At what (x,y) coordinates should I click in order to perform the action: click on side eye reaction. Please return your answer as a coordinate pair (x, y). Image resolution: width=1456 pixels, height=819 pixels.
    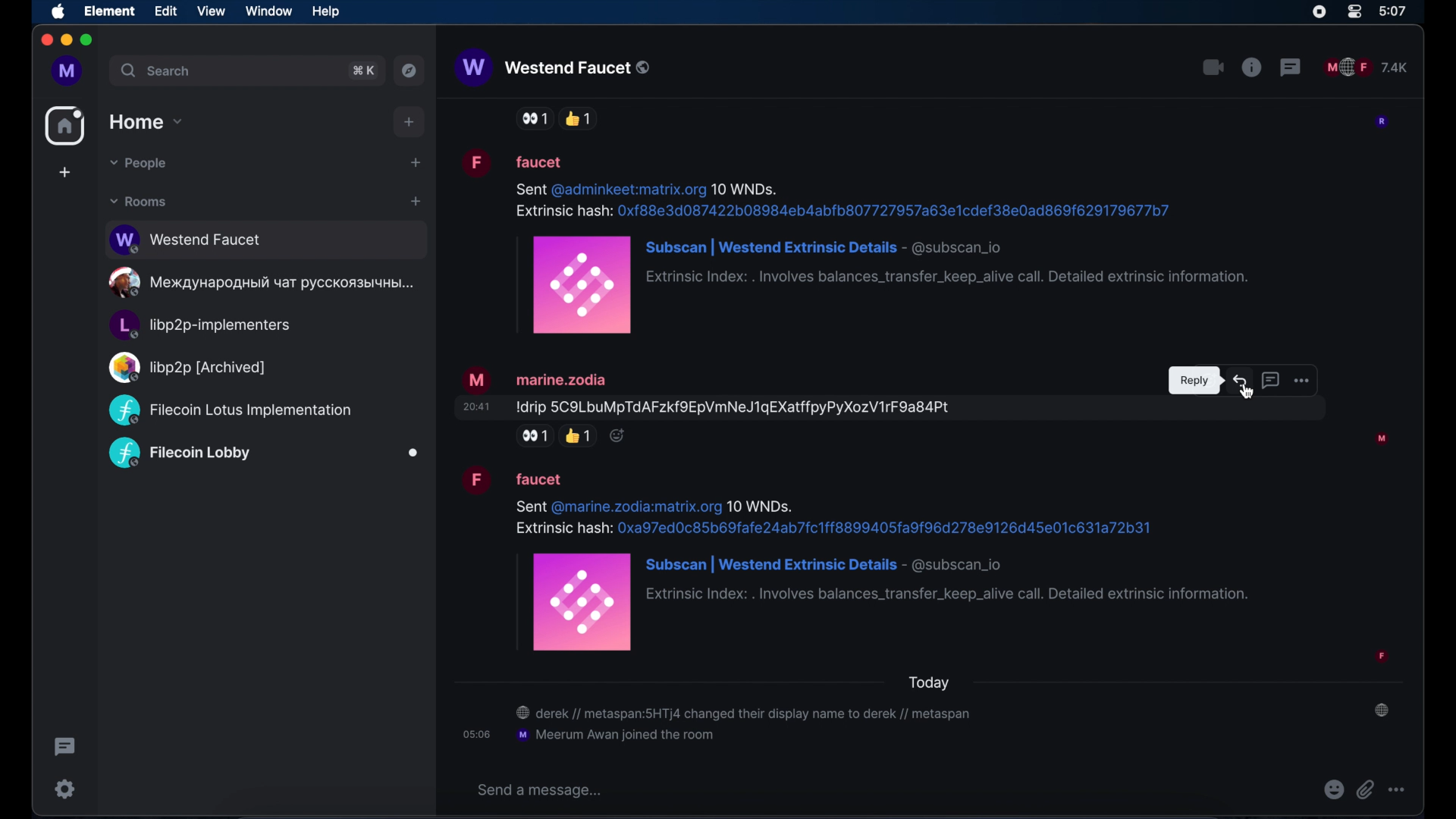
    Looking at the image, I should click on (533, 436).